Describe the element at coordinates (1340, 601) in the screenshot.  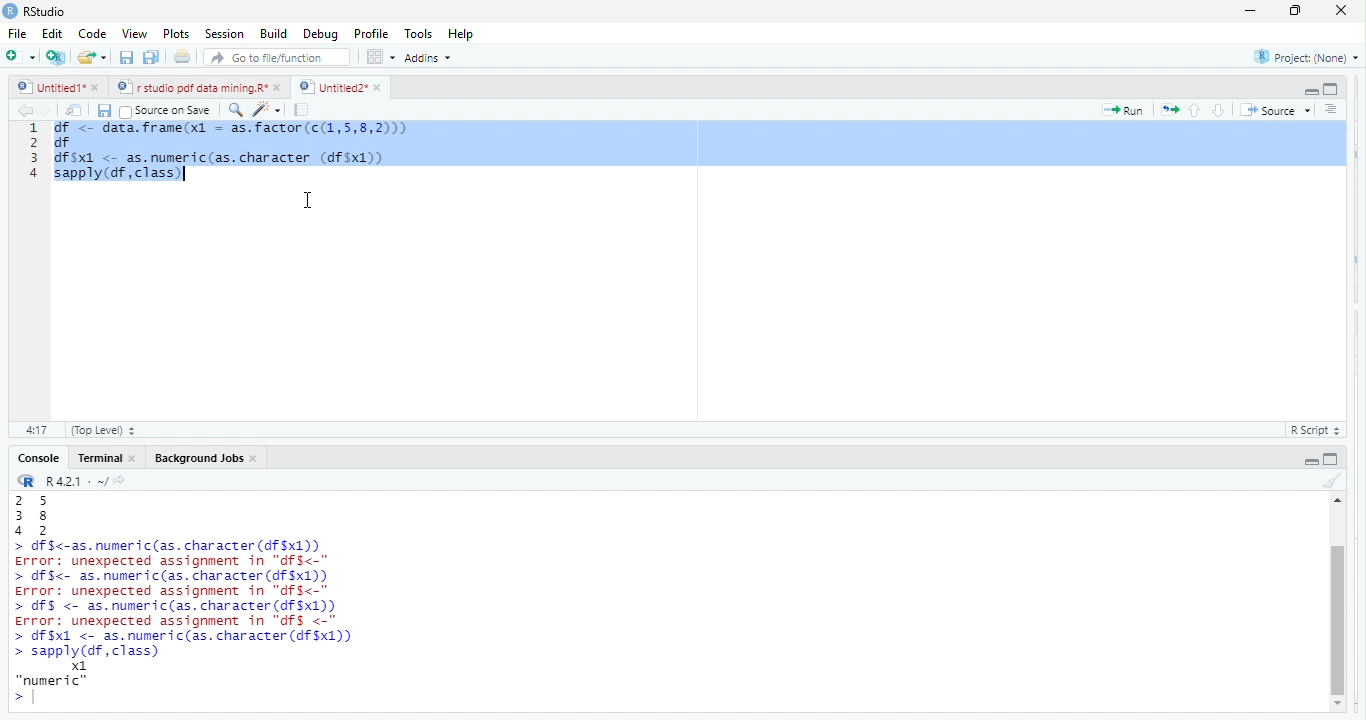
I see `vertical scroll bar` at that location.